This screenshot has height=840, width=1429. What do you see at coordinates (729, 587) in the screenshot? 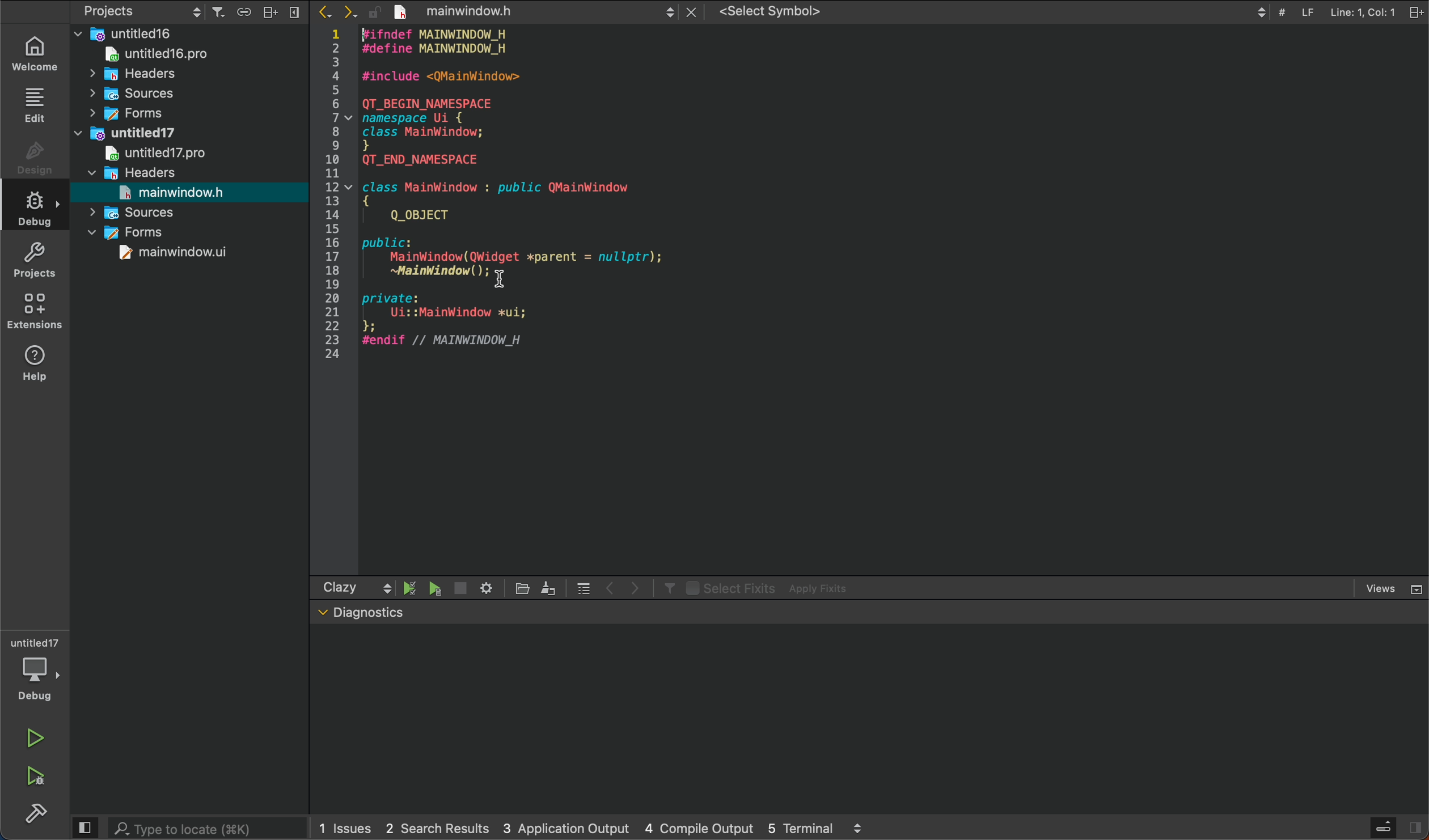
I see `Select fixits` at bounding box center [729, 587].